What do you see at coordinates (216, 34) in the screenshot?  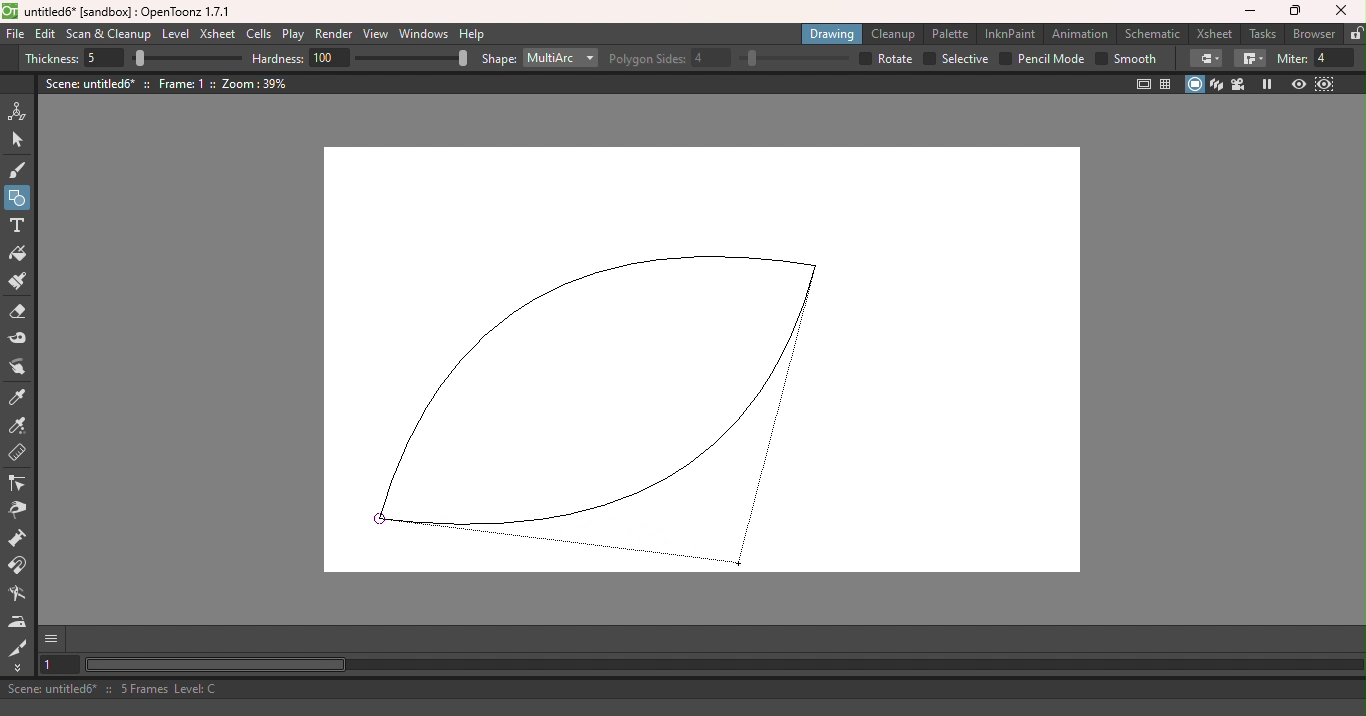 I see `Xsheet` at bounding box center [216, 34].